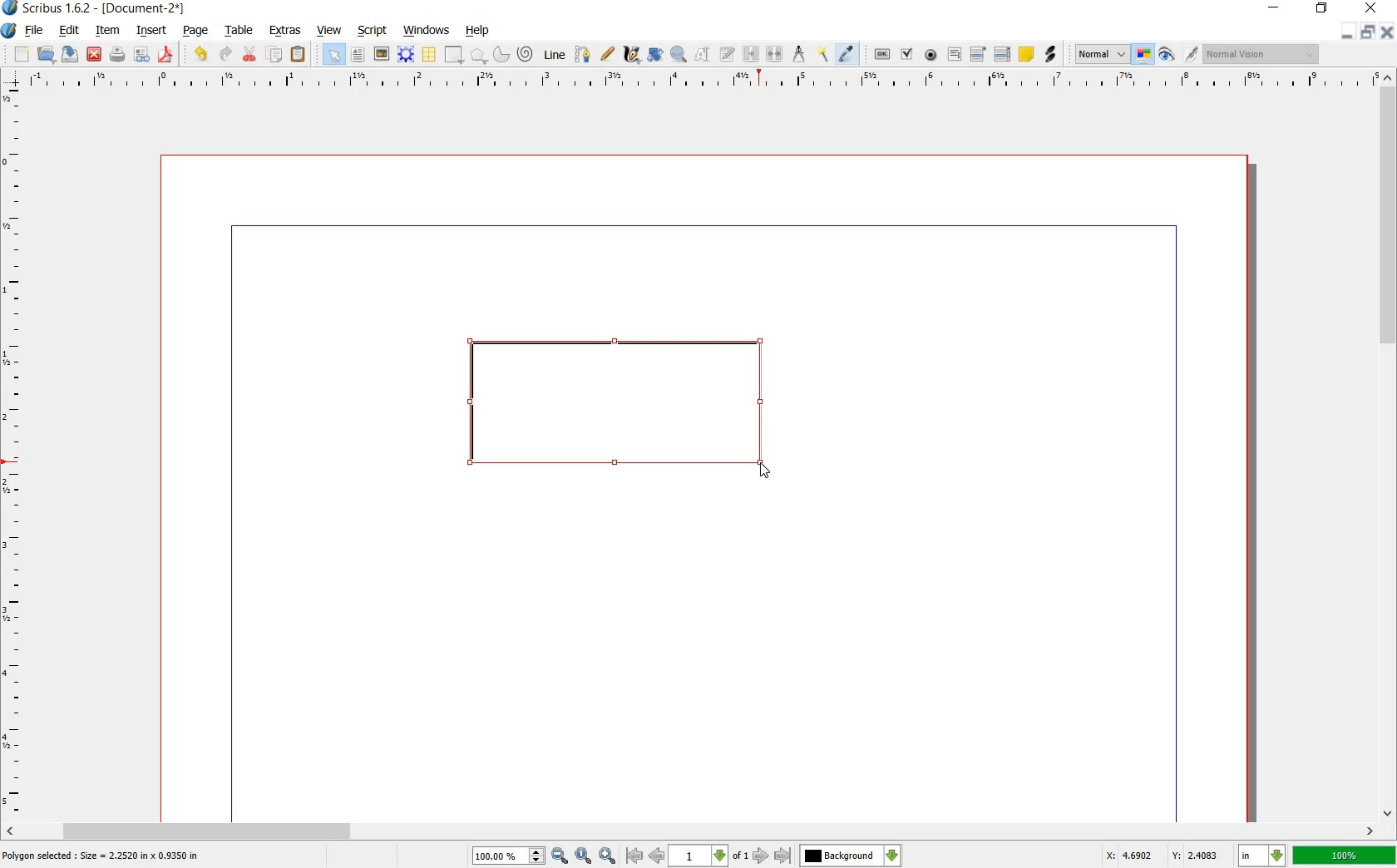 The image size is (1397, 868). Describe the element at coordinates (509, 856) in the screenshot. I see `100.00%` at that location.